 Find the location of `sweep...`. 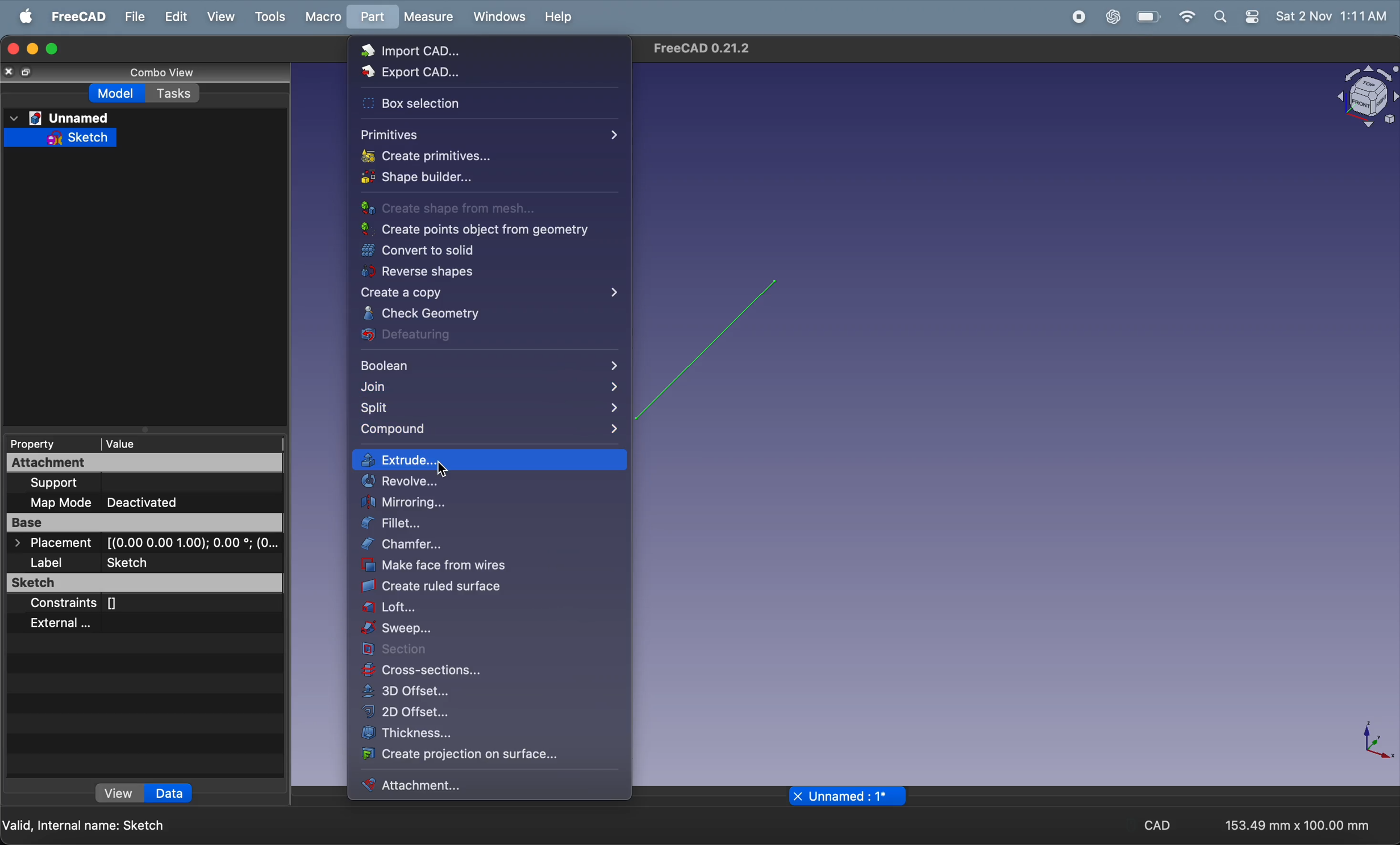

sweep... is located at coordinates (492, 630).